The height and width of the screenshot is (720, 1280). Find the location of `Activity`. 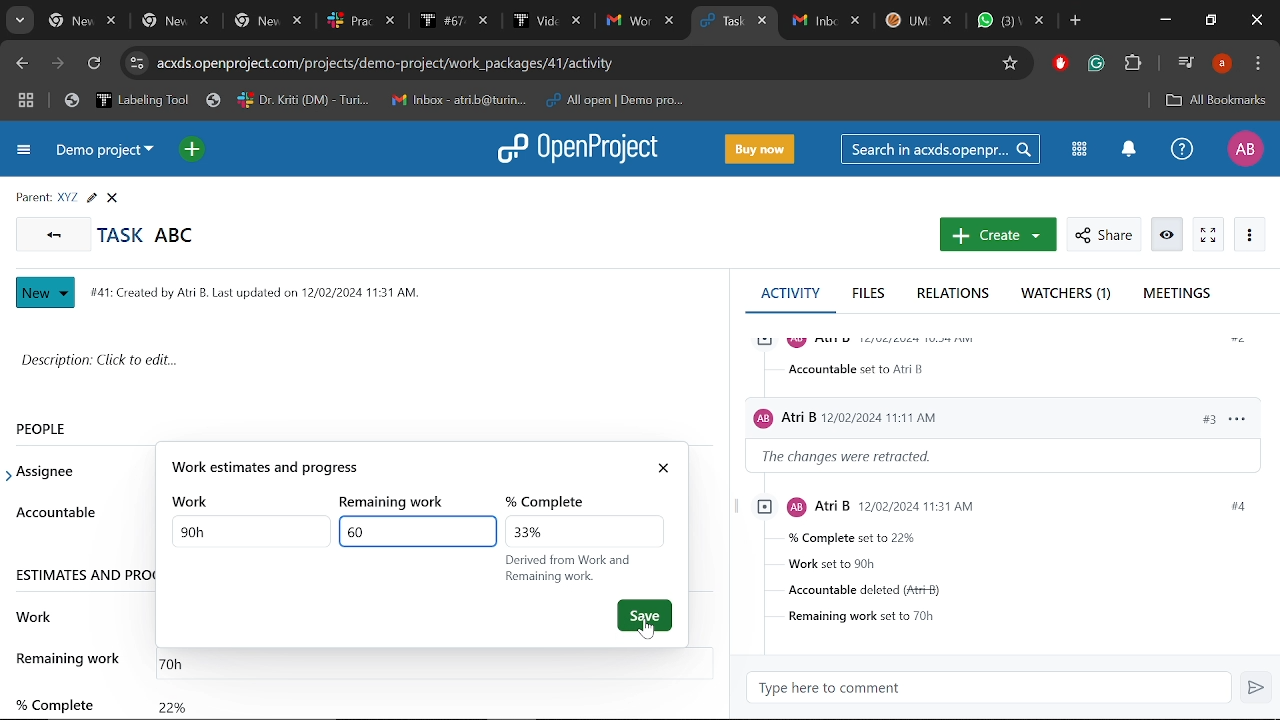

Activity is located at coordinates (790, 292).